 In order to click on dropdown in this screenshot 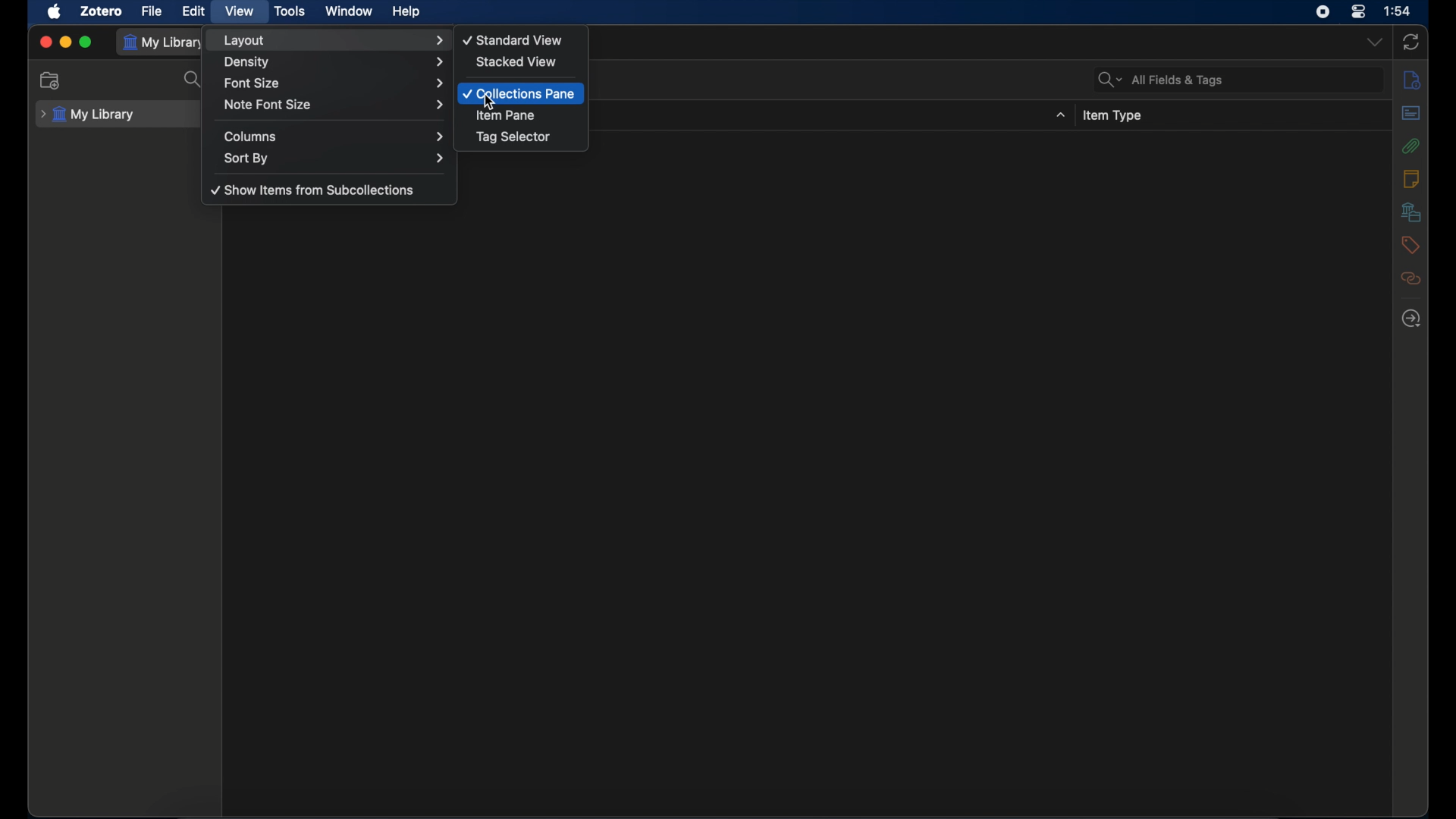, I will do `click(1374, 42)`.